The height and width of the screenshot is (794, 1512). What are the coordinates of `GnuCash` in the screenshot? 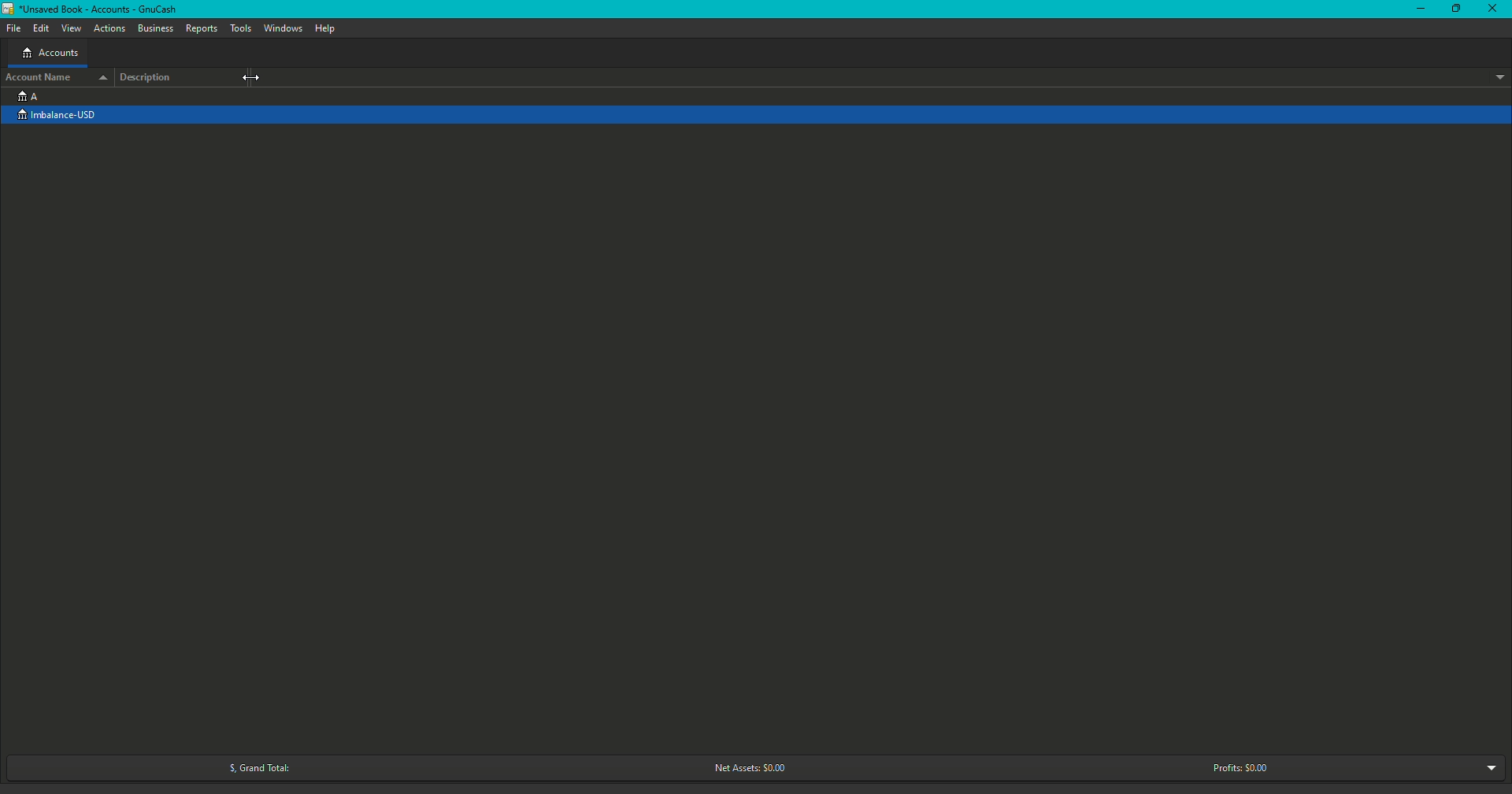 It's located at (93, 11).